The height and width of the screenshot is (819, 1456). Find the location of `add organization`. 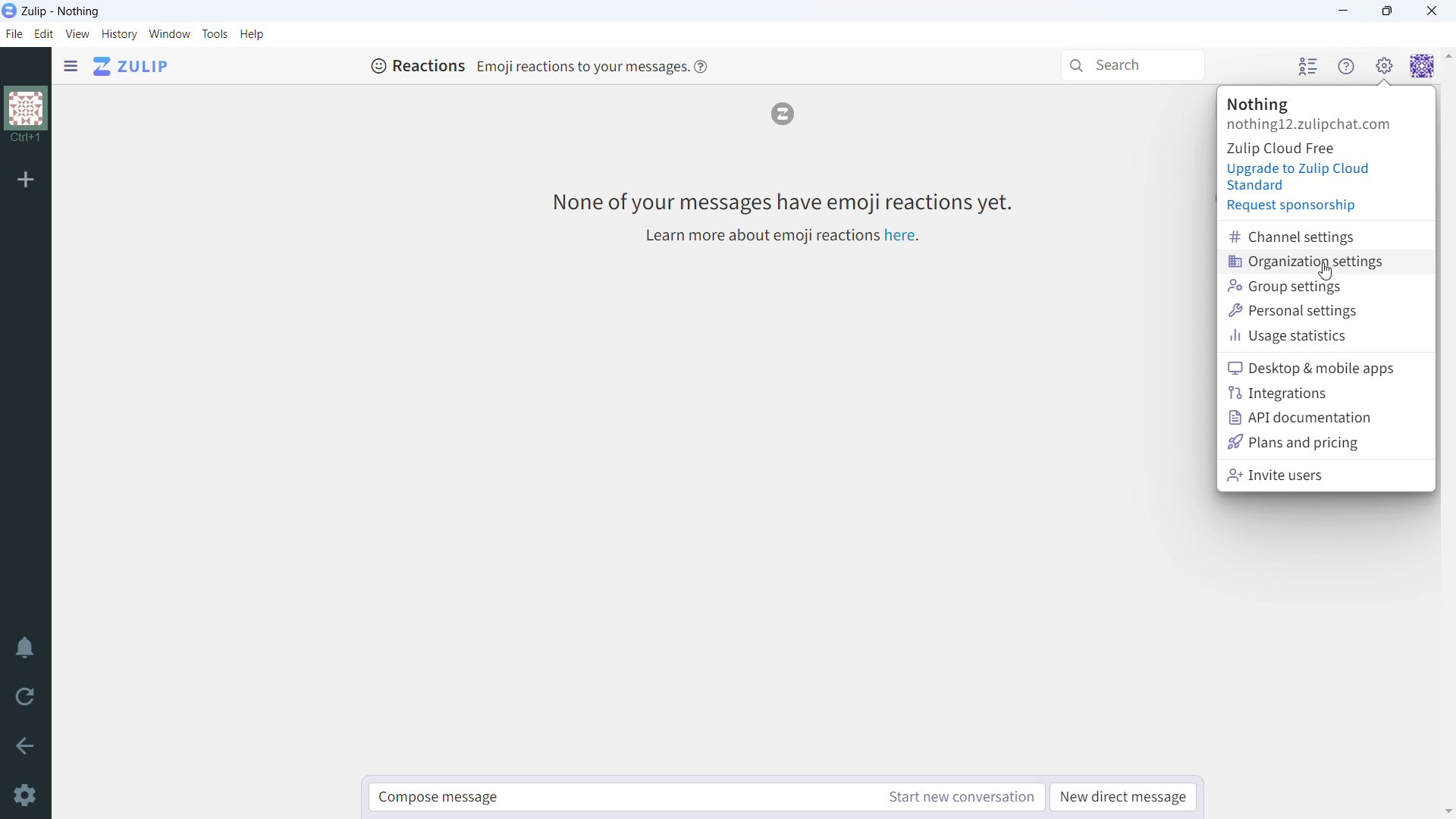

add organization is located at coordinates (27, 180).